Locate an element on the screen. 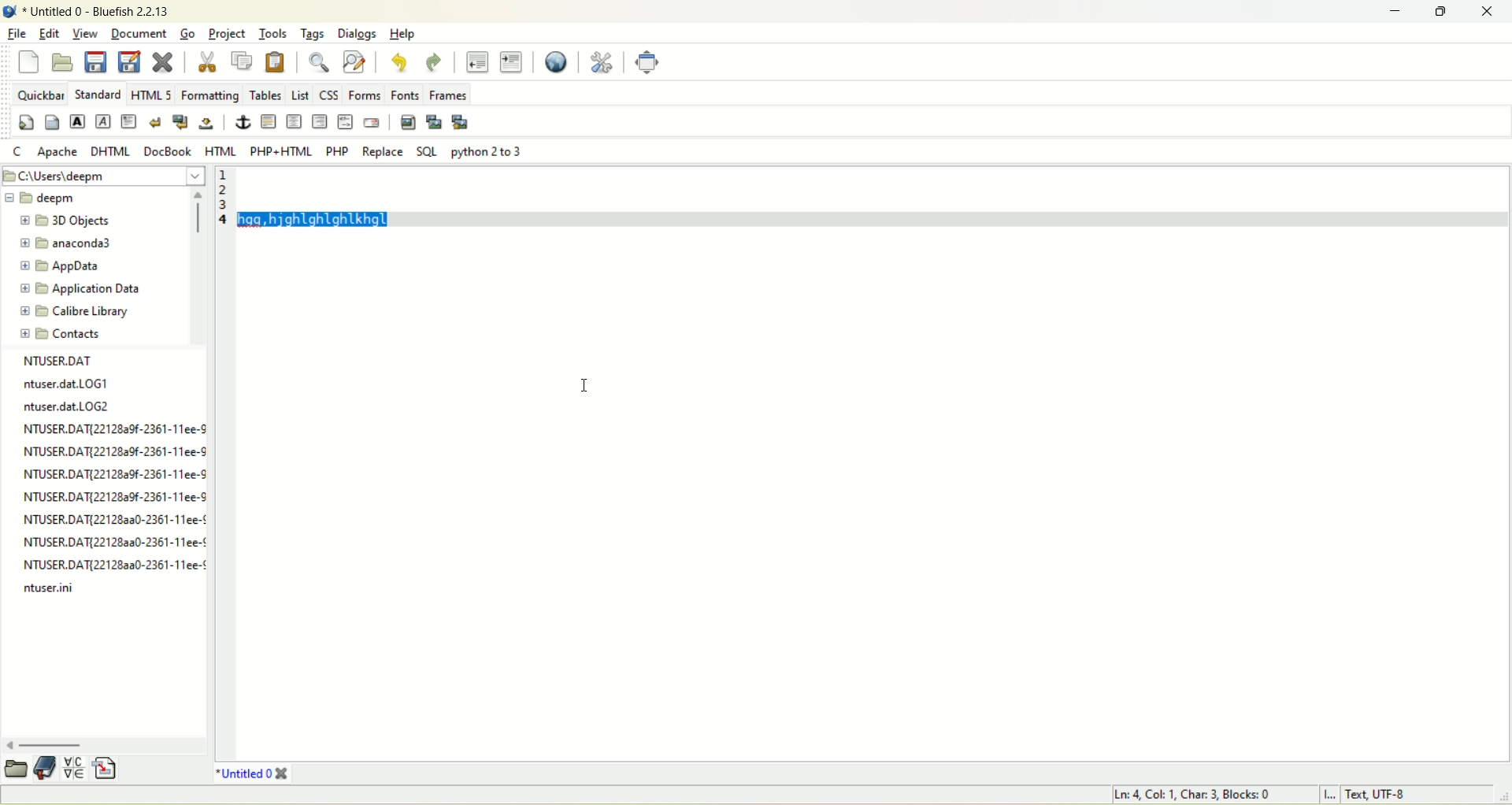 The height and width of the screenshot is (805, 1512). folder name is located at coordinates (85, 288).